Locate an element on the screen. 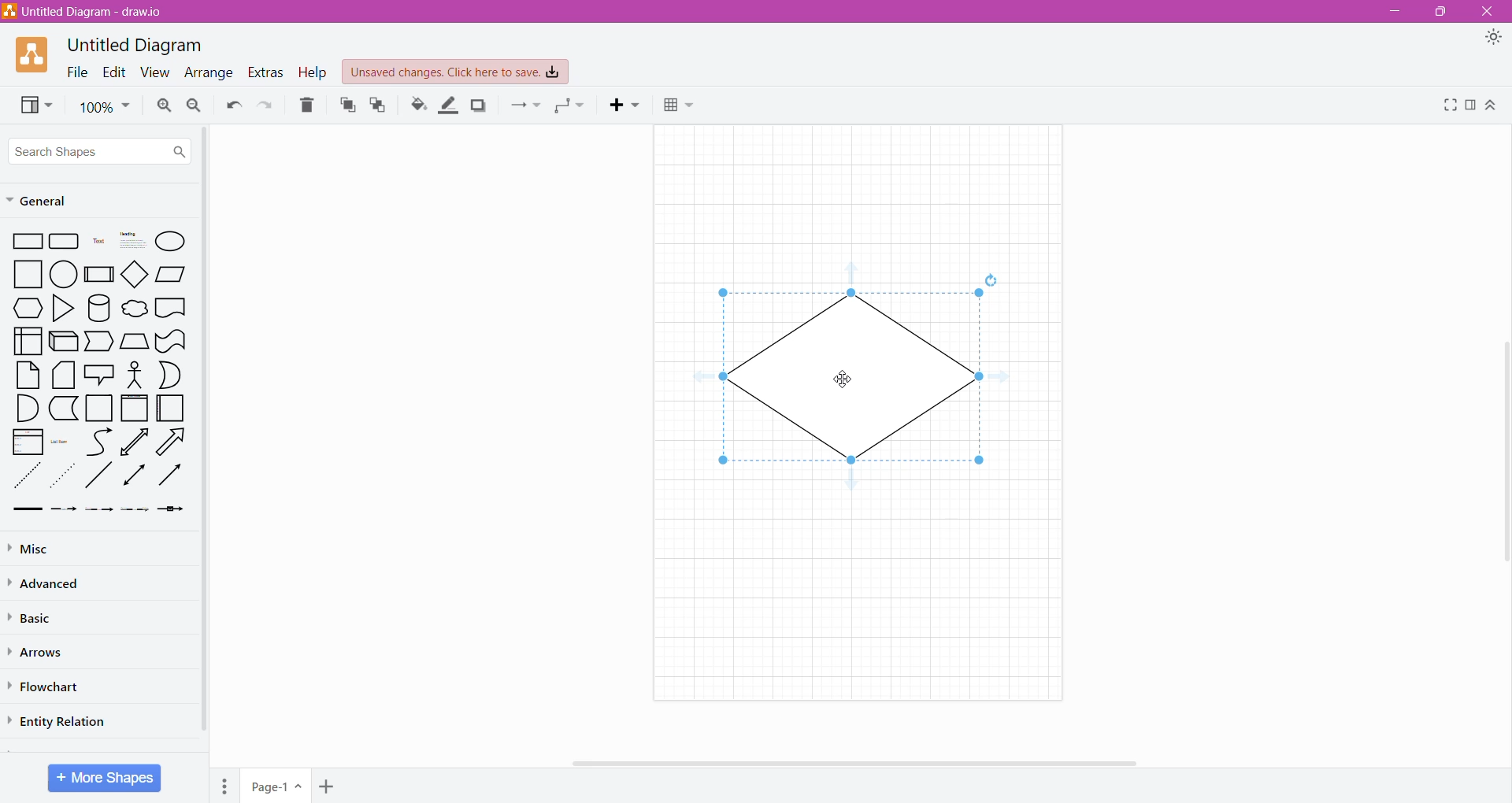 Image resolution: width=1512 pixels, height=803 pixels. Appearance is located at coordinates (1493, 37).